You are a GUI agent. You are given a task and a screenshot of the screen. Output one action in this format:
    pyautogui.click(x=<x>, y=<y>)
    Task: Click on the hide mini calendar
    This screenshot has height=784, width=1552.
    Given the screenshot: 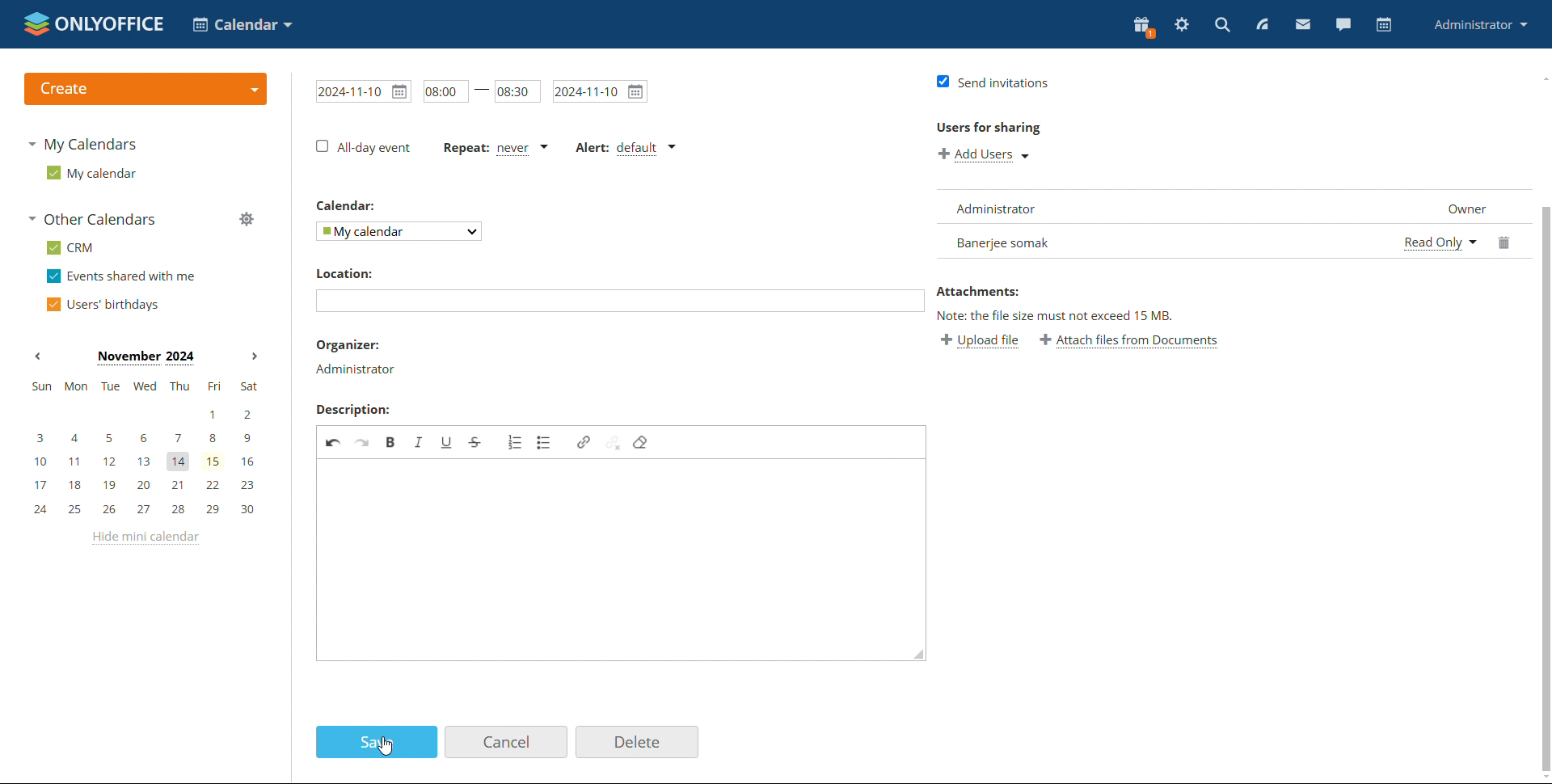 What is the action you would take?
    pyautogui.click(x=143, y=538)
    